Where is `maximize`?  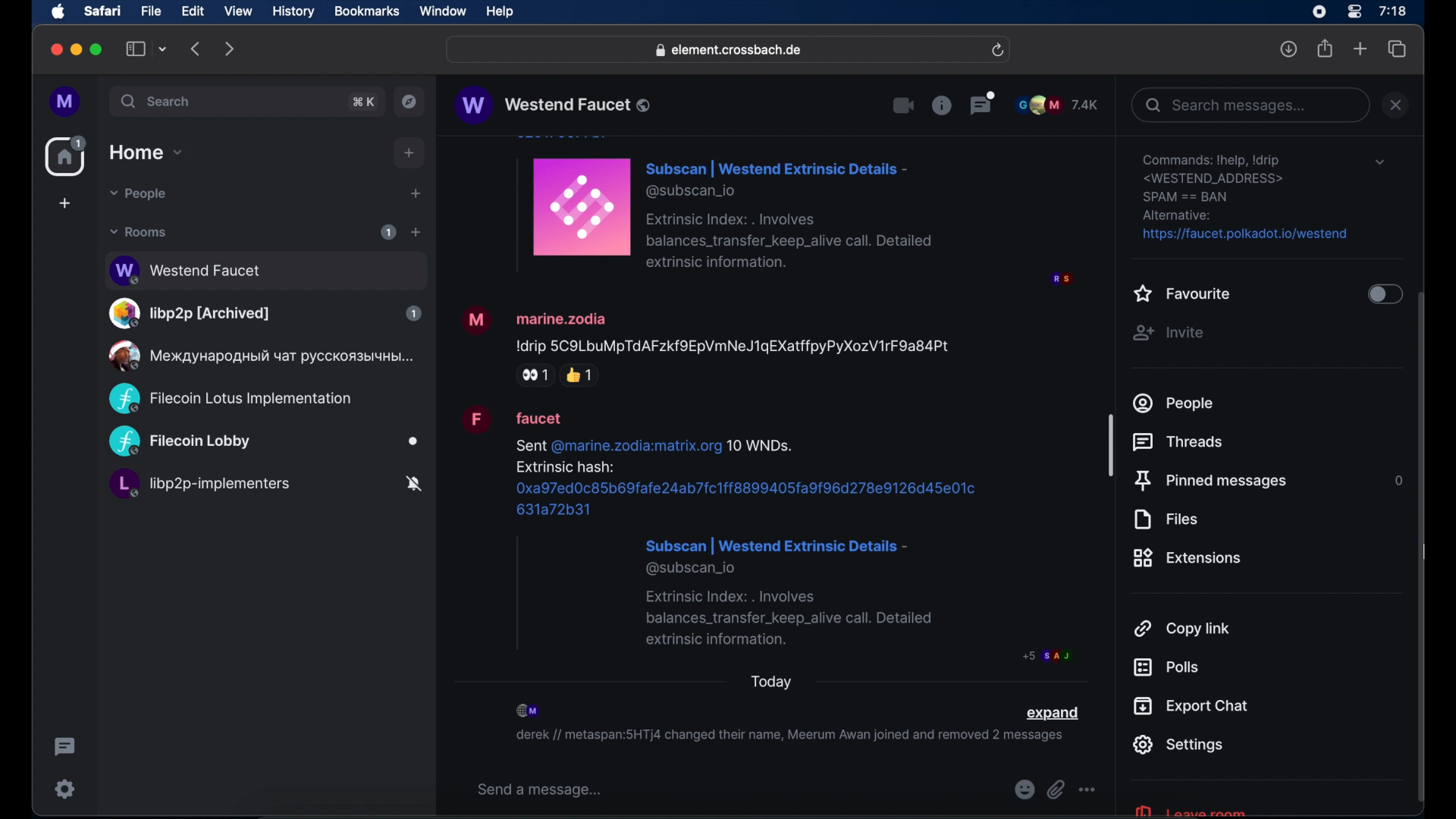 maximize is located at coordinates (98, 49).